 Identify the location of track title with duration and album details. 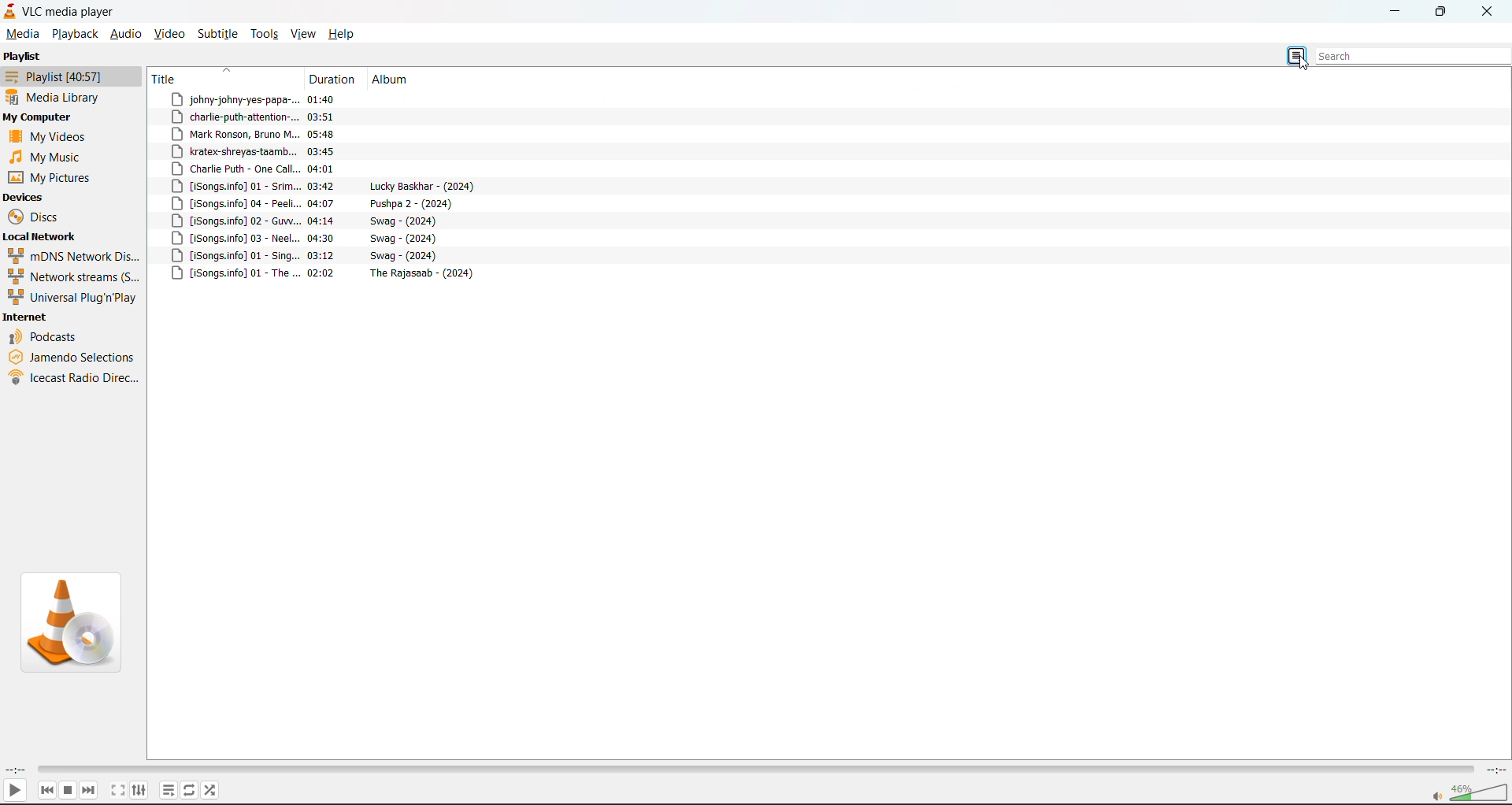
(327, 186).